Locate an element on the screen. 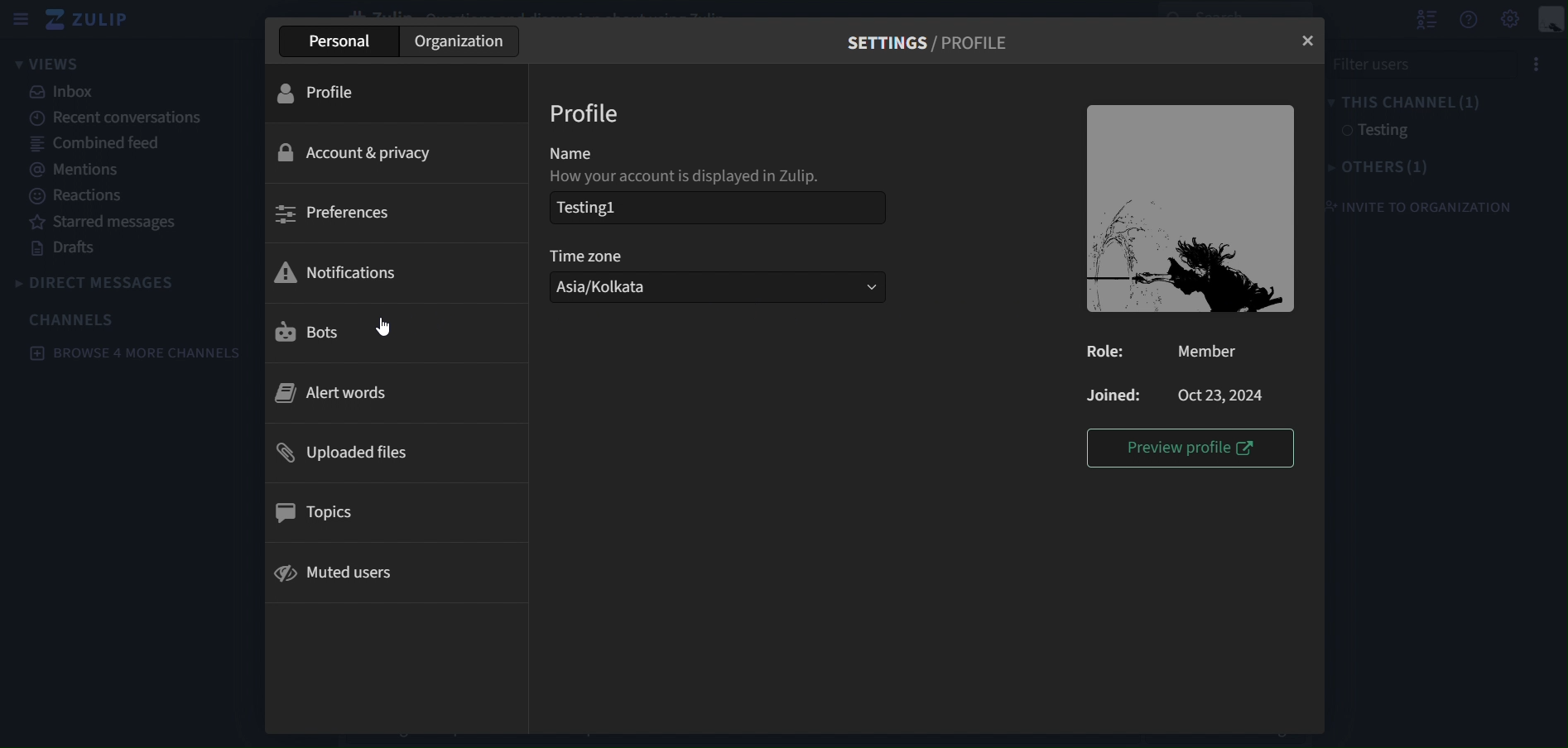 The image size is (1568, 748). preview profile is located at coordinates (1184, 448).